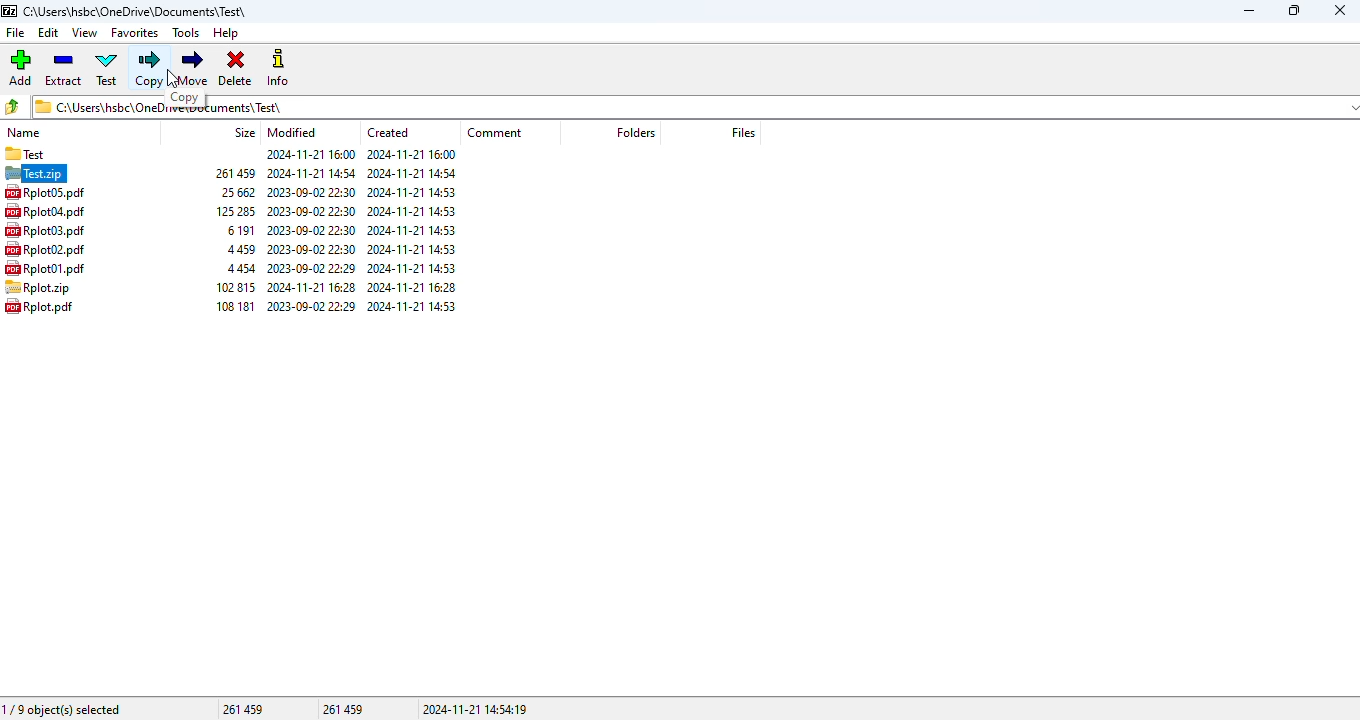 The image size is (1360, 720). Describe the element at coordinates (412, 173) in the screenshot. I see `created date & time` at that location.